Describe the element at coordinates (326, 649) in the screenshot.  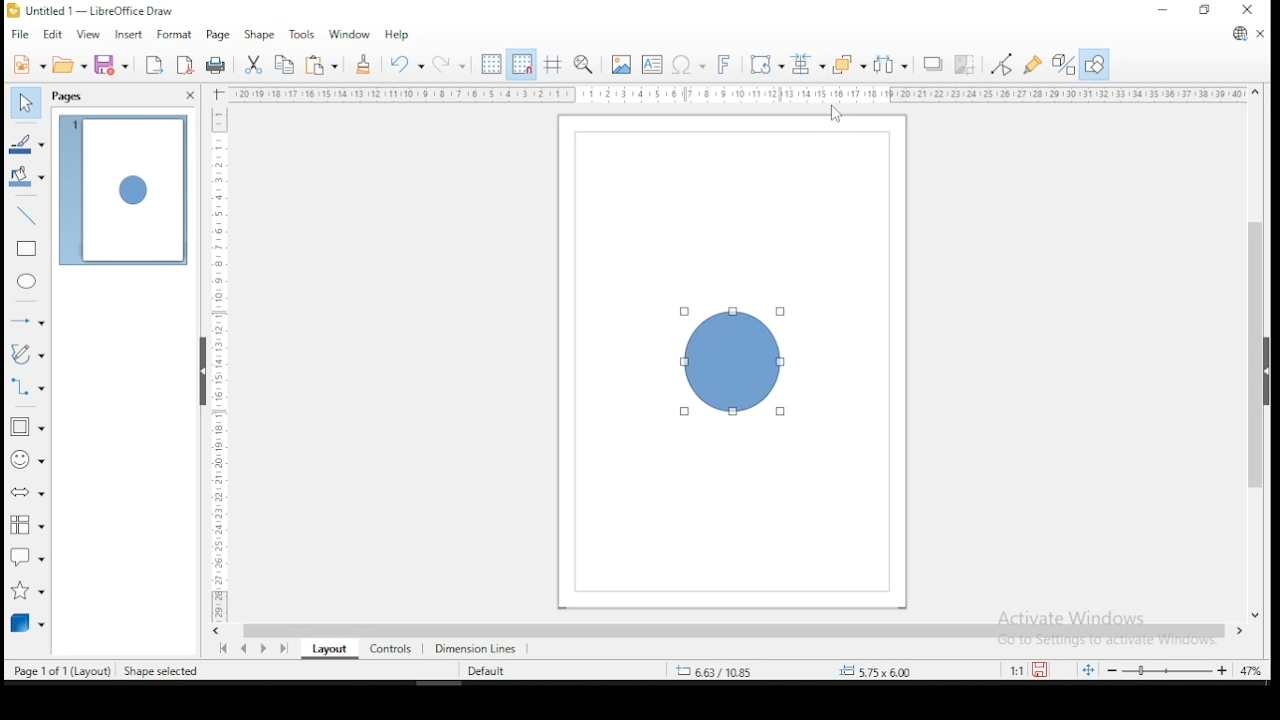
I see `layout` at that location.